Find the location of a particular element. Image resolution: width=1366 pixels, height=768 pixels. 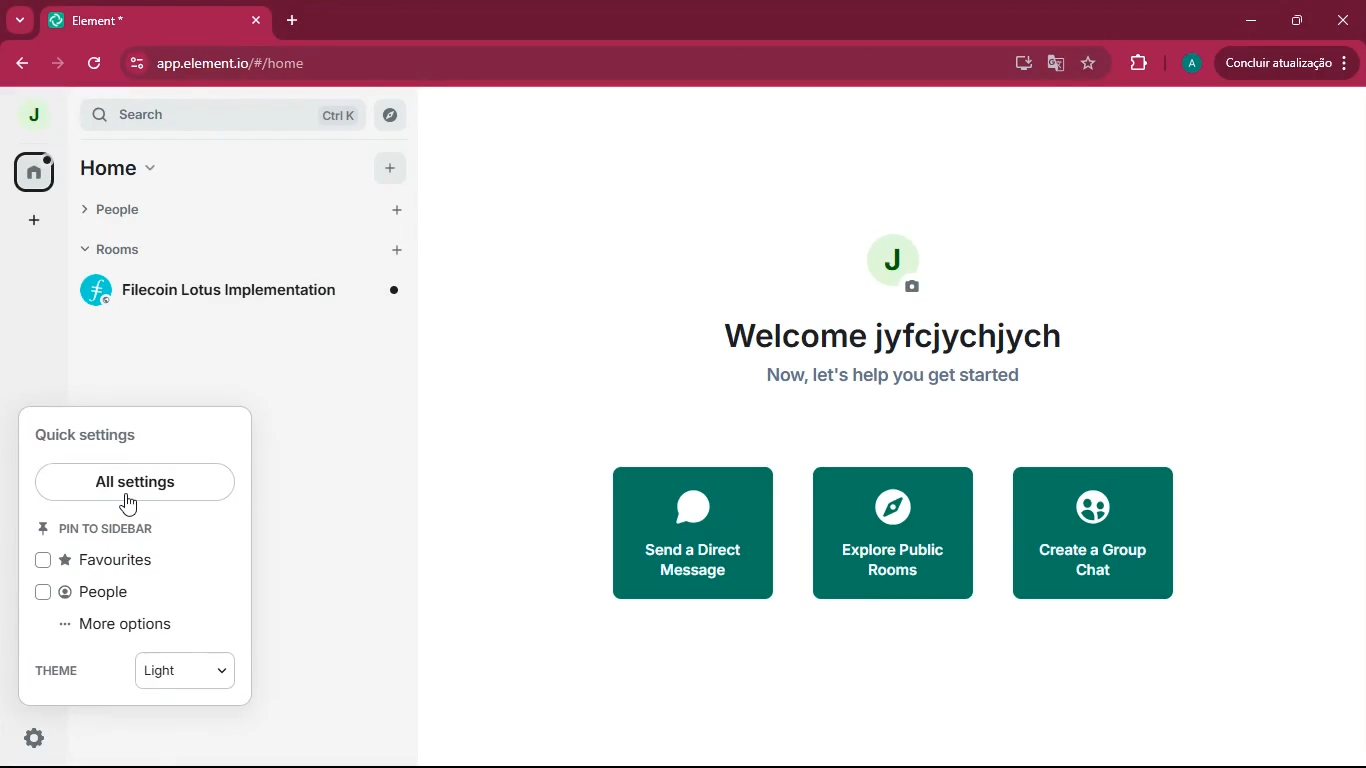

add is located at coordinates (26, 221).